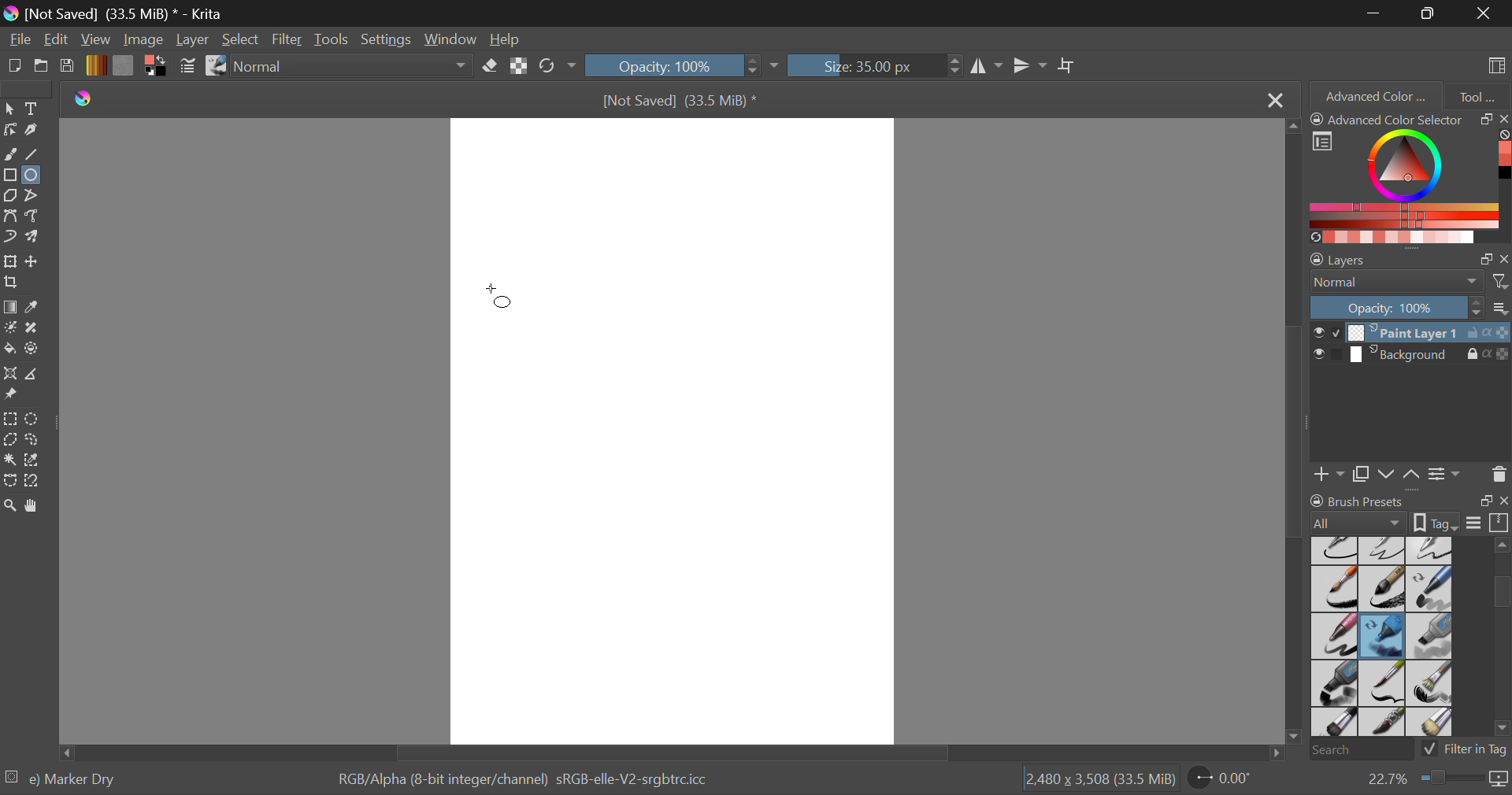  I want to click on Edit Shapes Tool, so click(9, 130).